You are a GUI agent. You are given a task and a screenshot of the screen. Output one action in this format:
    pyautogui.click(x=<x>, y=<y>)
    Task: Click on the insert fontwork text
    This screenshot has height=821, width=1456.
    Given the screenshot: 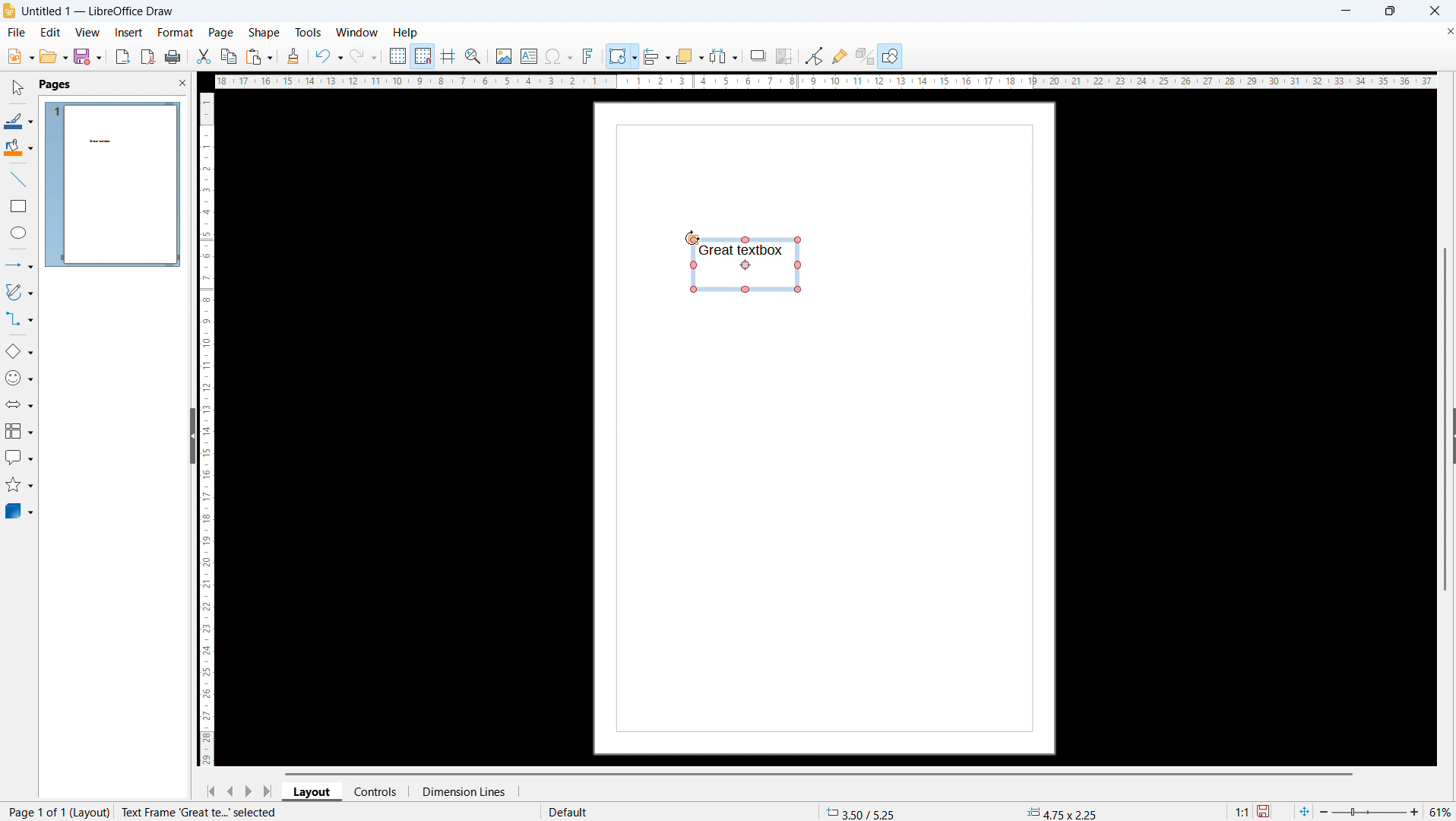 What is the action you would take?
    pyautogui.click(x=589, y=55)
    